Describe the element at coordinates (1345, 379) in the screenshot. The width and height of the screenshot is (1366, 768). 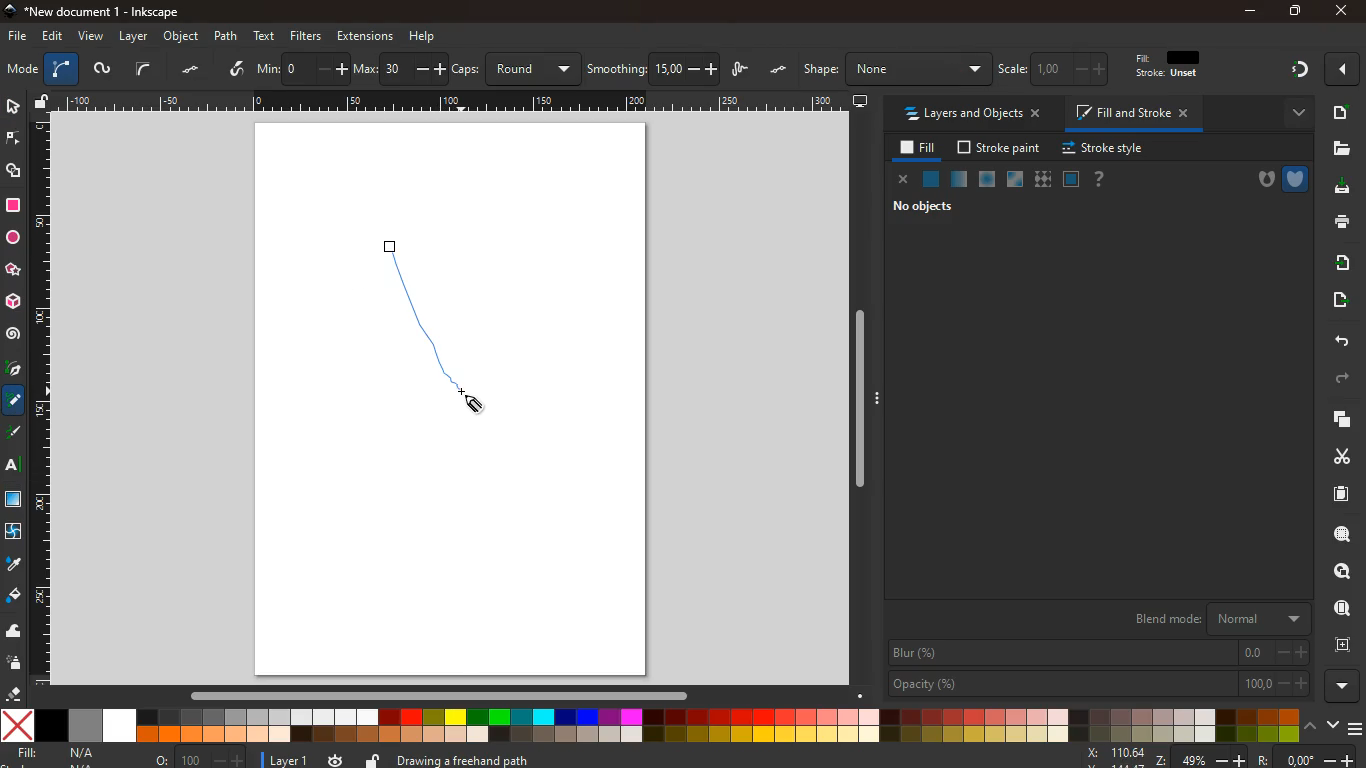
I see `forward` at that location.